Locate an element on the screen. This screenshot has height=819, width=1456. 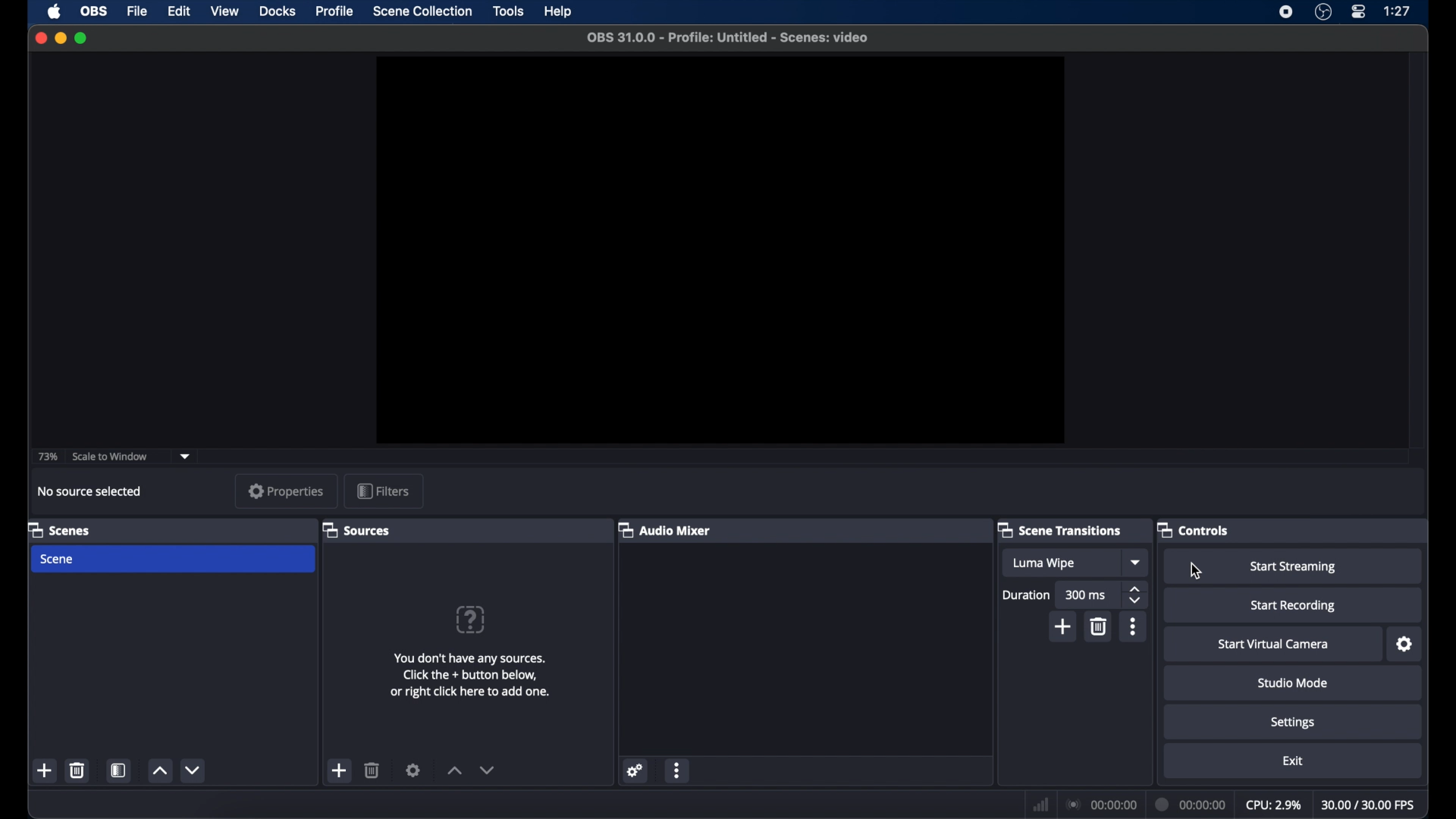
studio mode is located at coordinates (1292, 683).